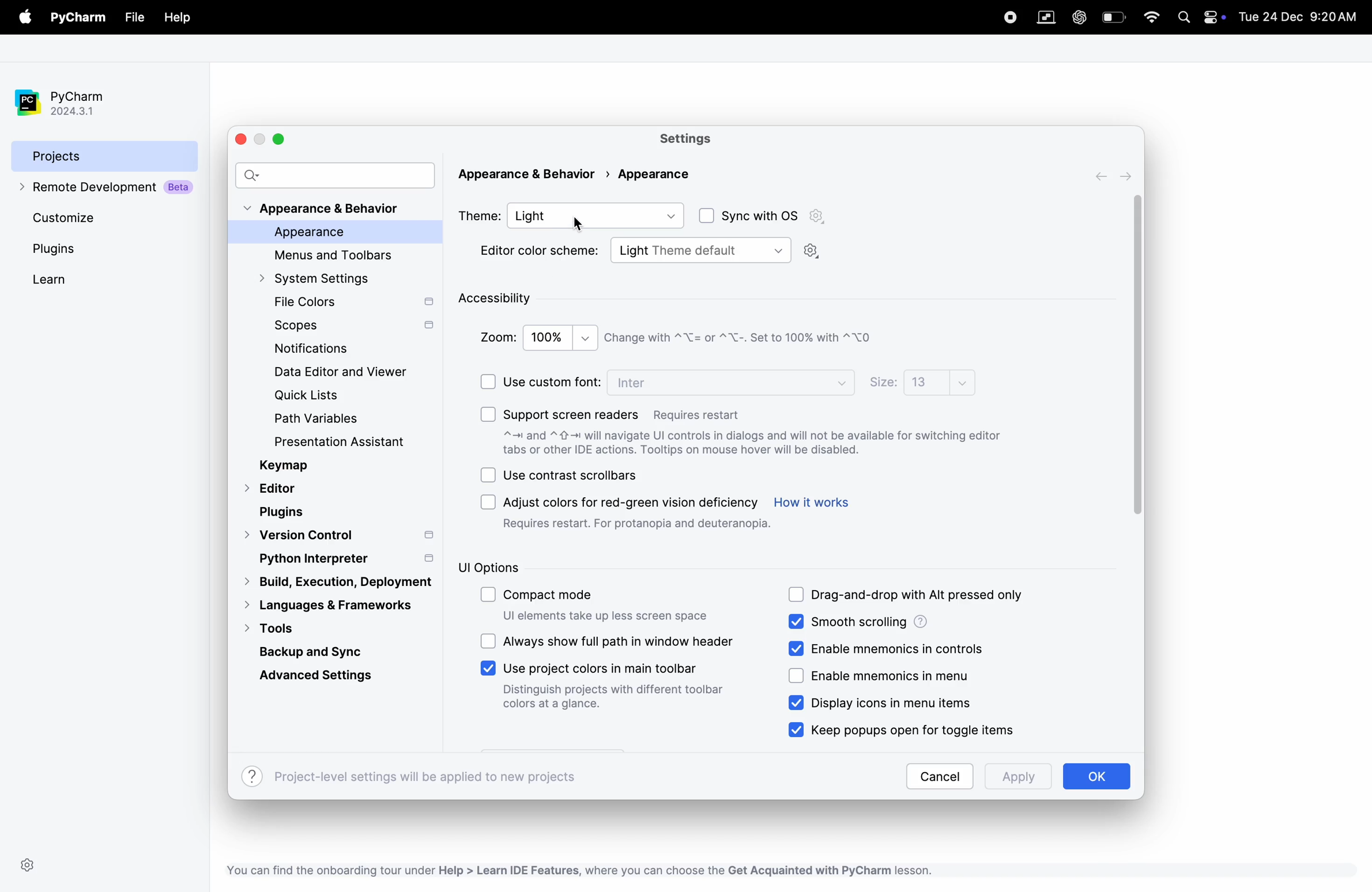  Describe the element at coordinates (733, 381) in the screenshot. I see `inter` at that location.